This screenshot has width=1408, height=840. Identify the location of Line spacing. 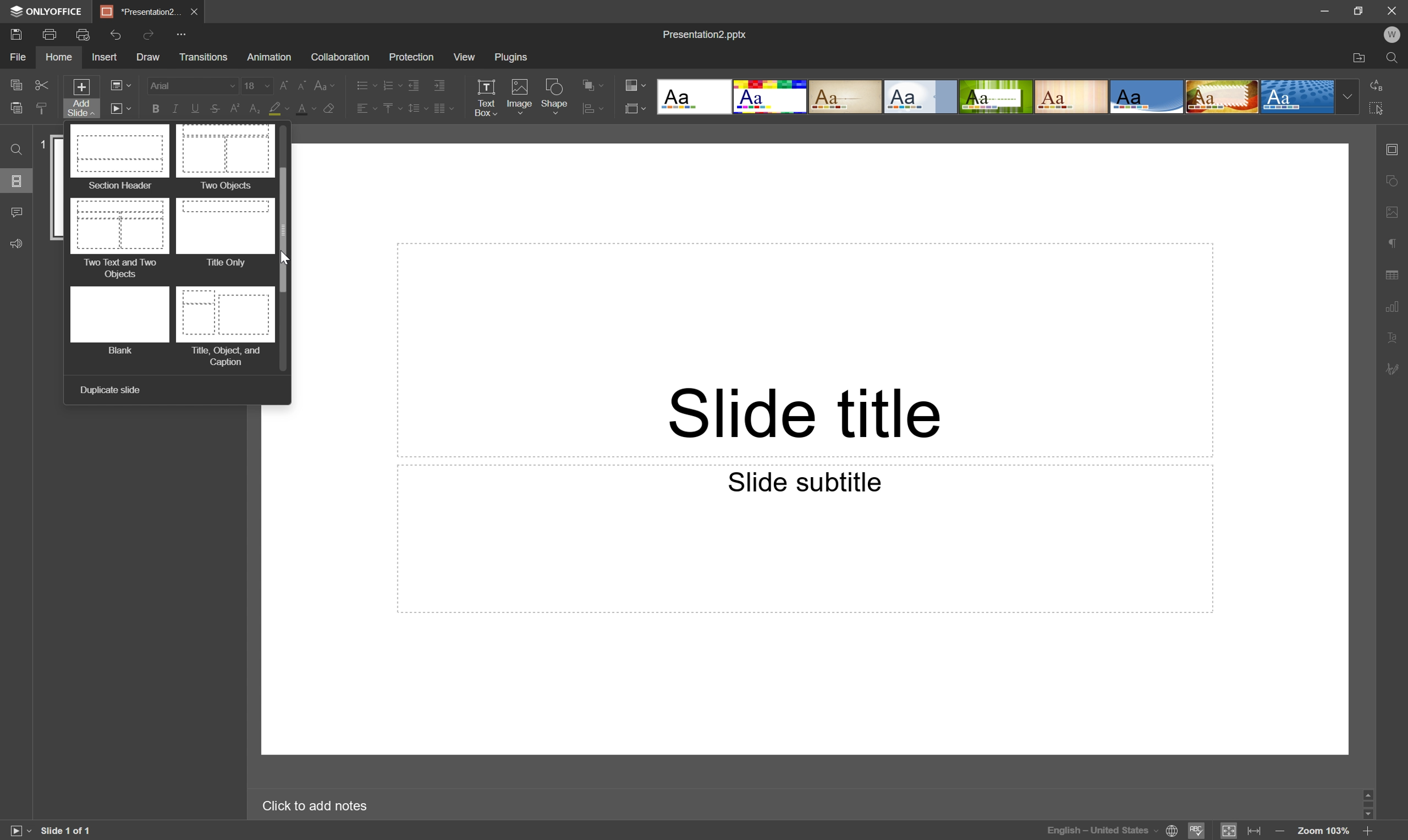
(416, 111).